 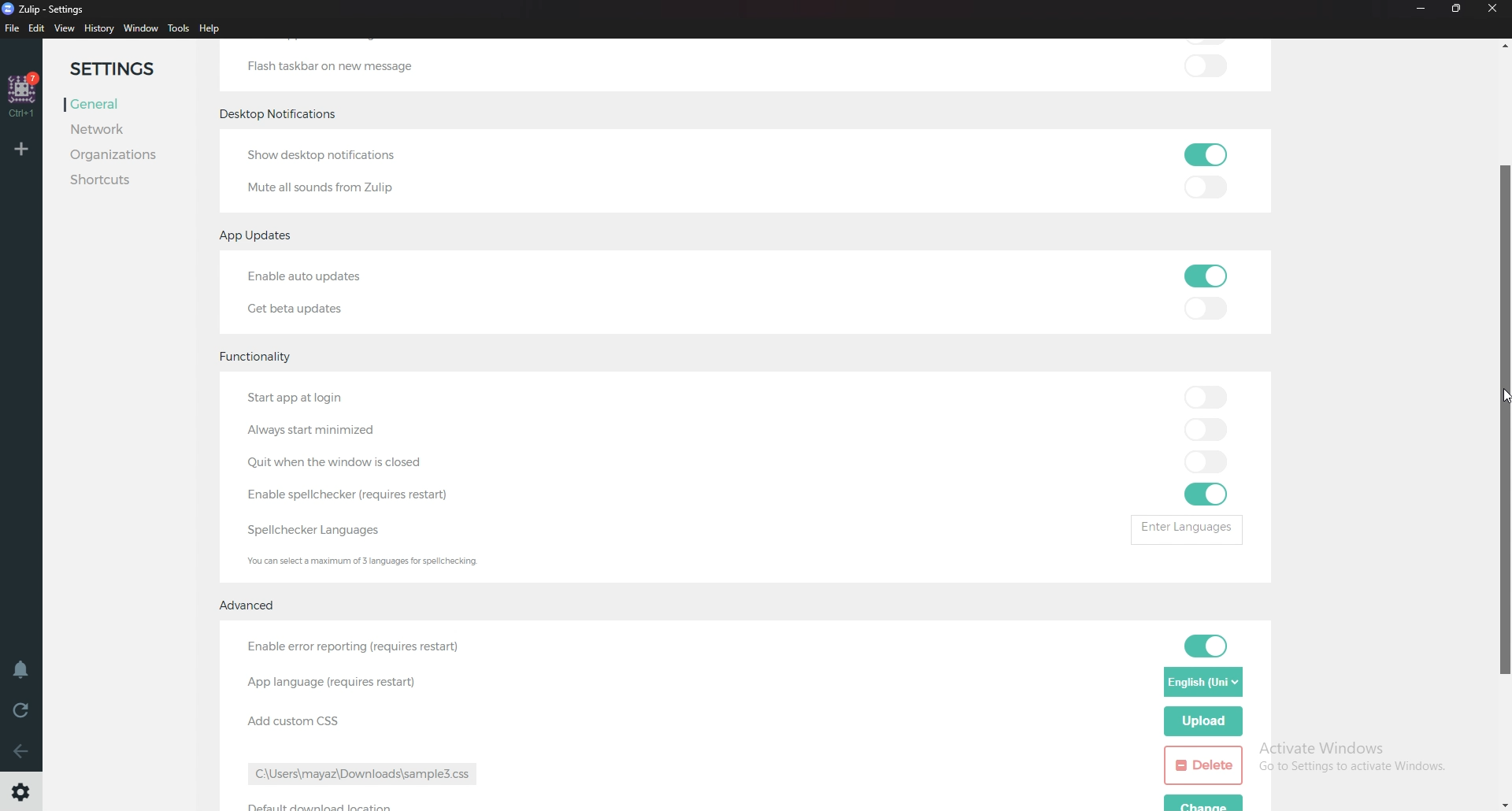 I want to click on Edit, so click(x=38, y=29).